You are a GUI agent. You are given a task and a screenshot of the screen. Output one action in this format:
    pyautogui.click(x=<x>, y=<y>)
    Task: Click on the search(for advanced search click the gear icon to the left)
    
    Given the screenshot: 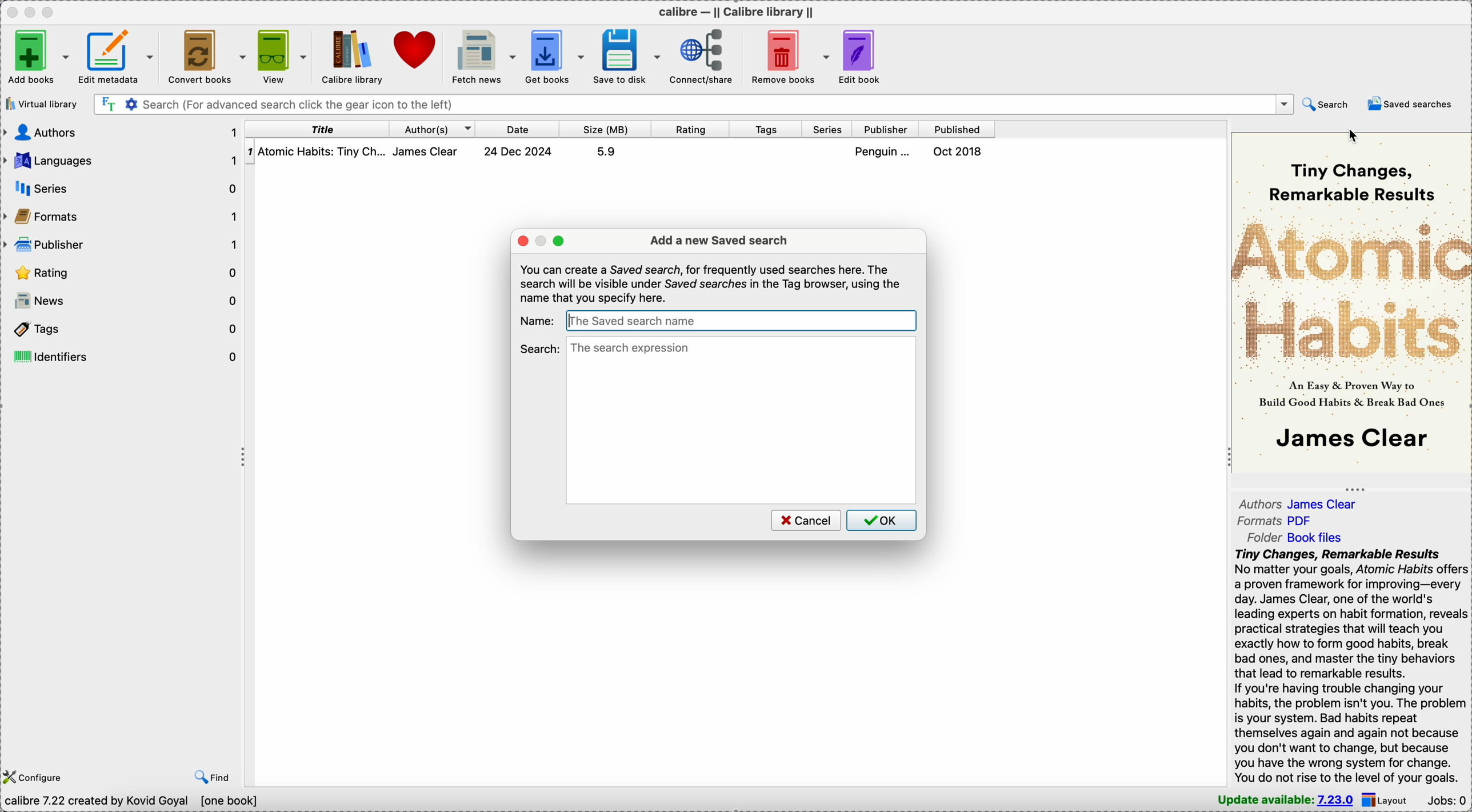 What is the action you would take?
    pyautogui.click(x=693, y=103)
    